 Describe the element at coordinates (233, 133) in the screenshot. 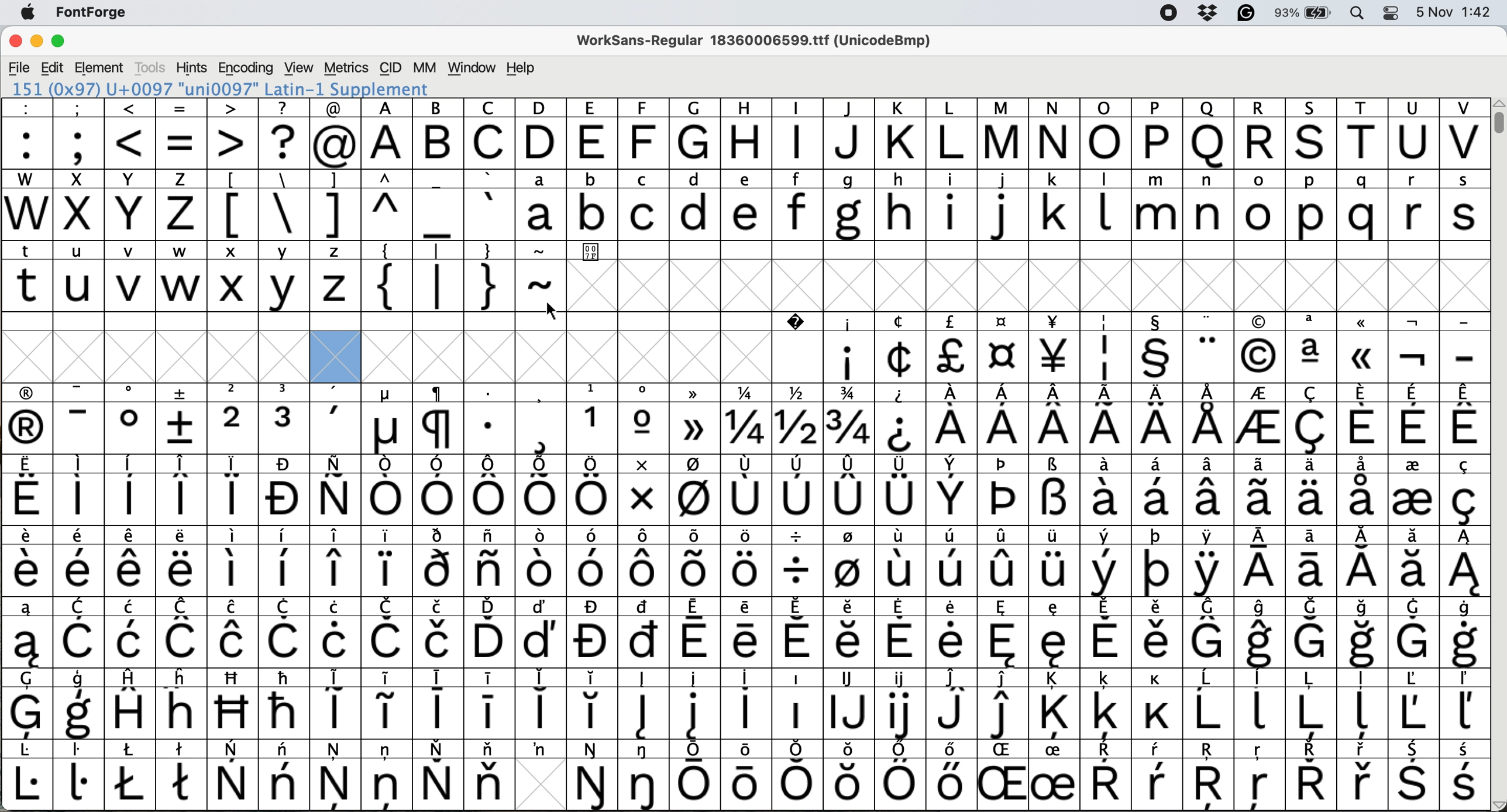

I see `>` at that location.